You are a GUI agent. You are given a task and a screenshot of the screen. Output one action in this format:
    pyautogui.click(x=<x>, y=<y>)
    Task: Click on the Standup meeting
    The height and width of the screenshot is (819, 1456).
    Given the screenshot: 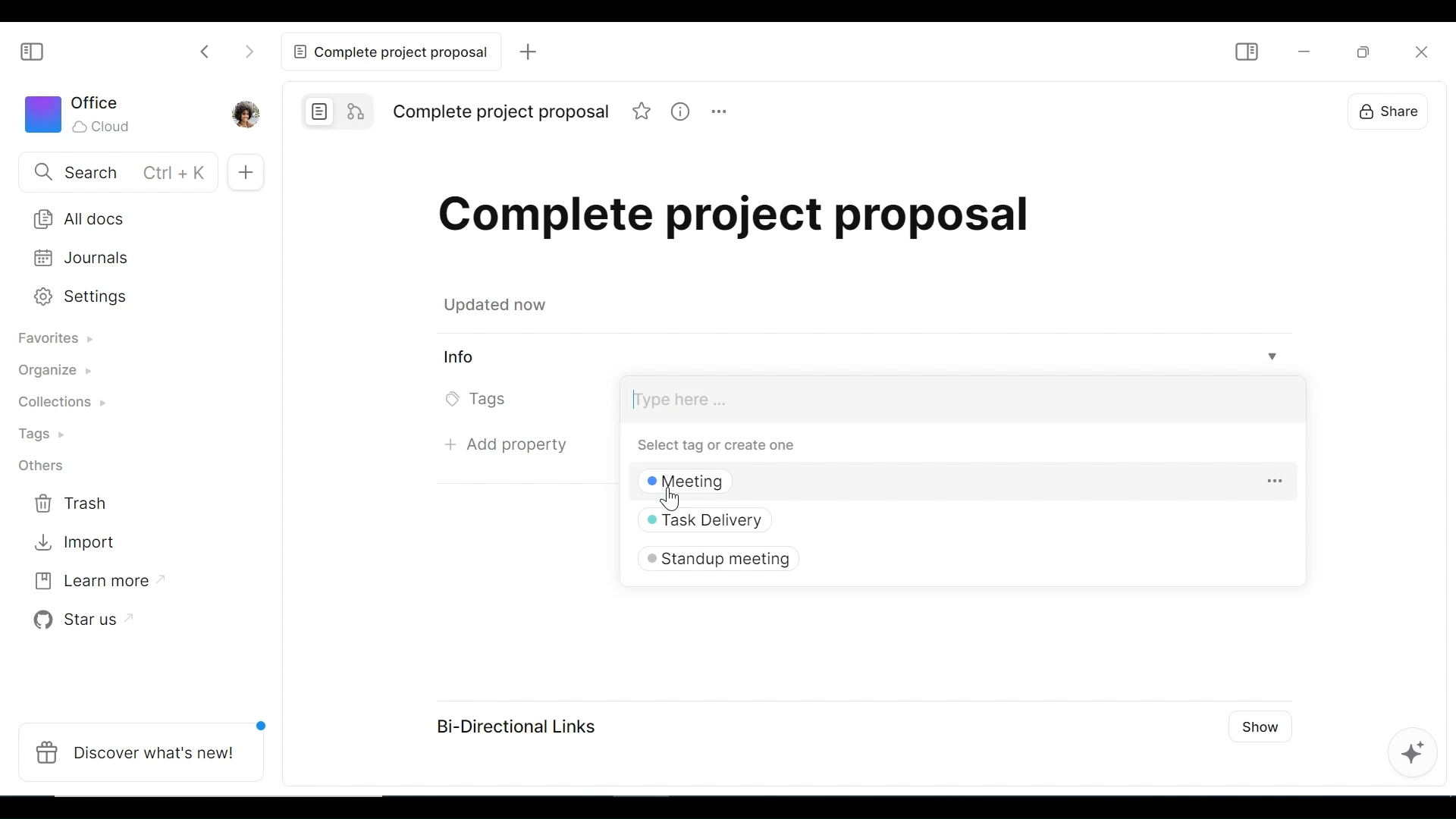 What is the action you would take?
    pyautogui.click(x=715, y=559)
    